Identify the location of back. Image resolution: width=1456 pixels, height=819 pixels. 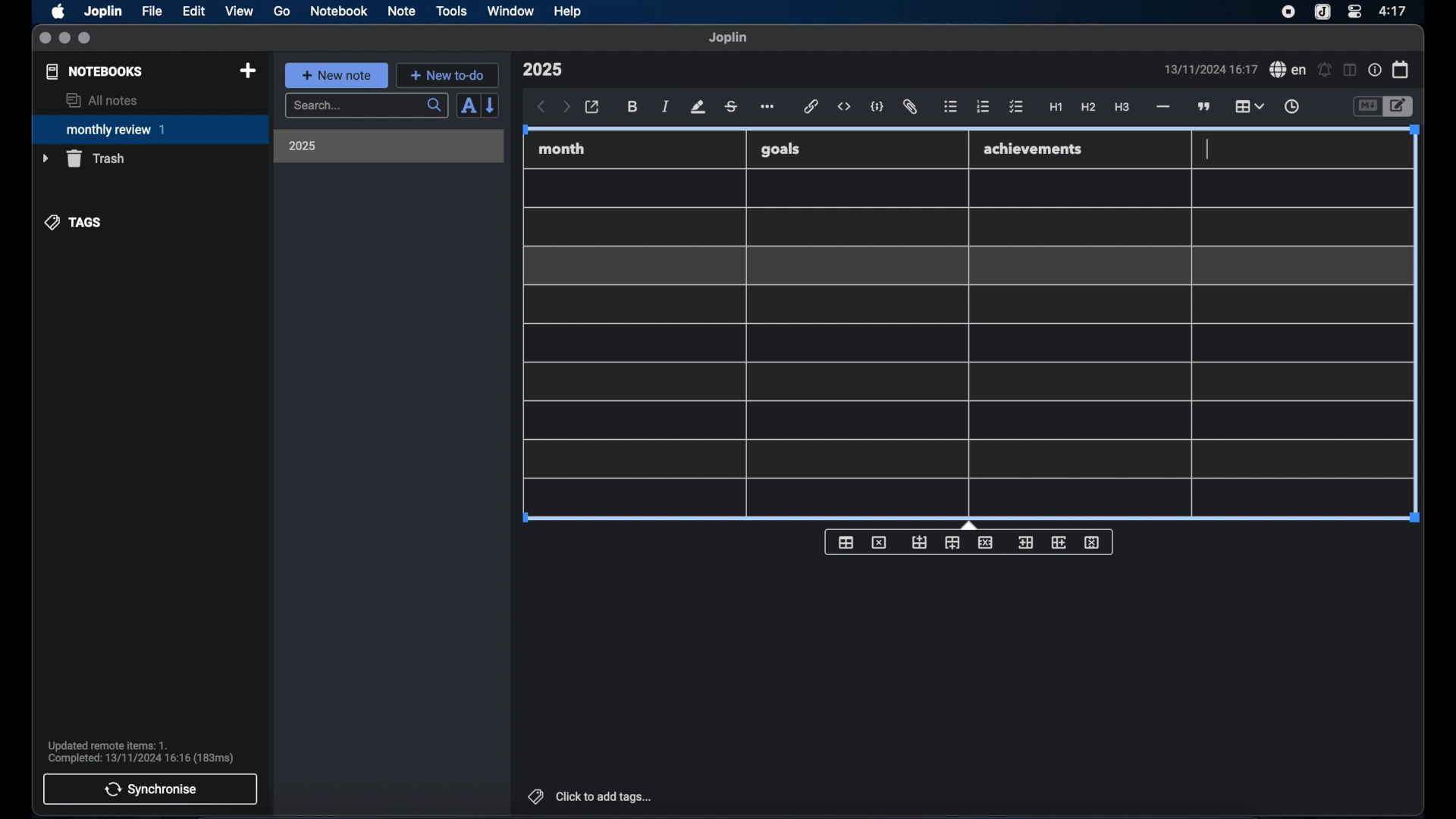
(541, 107).